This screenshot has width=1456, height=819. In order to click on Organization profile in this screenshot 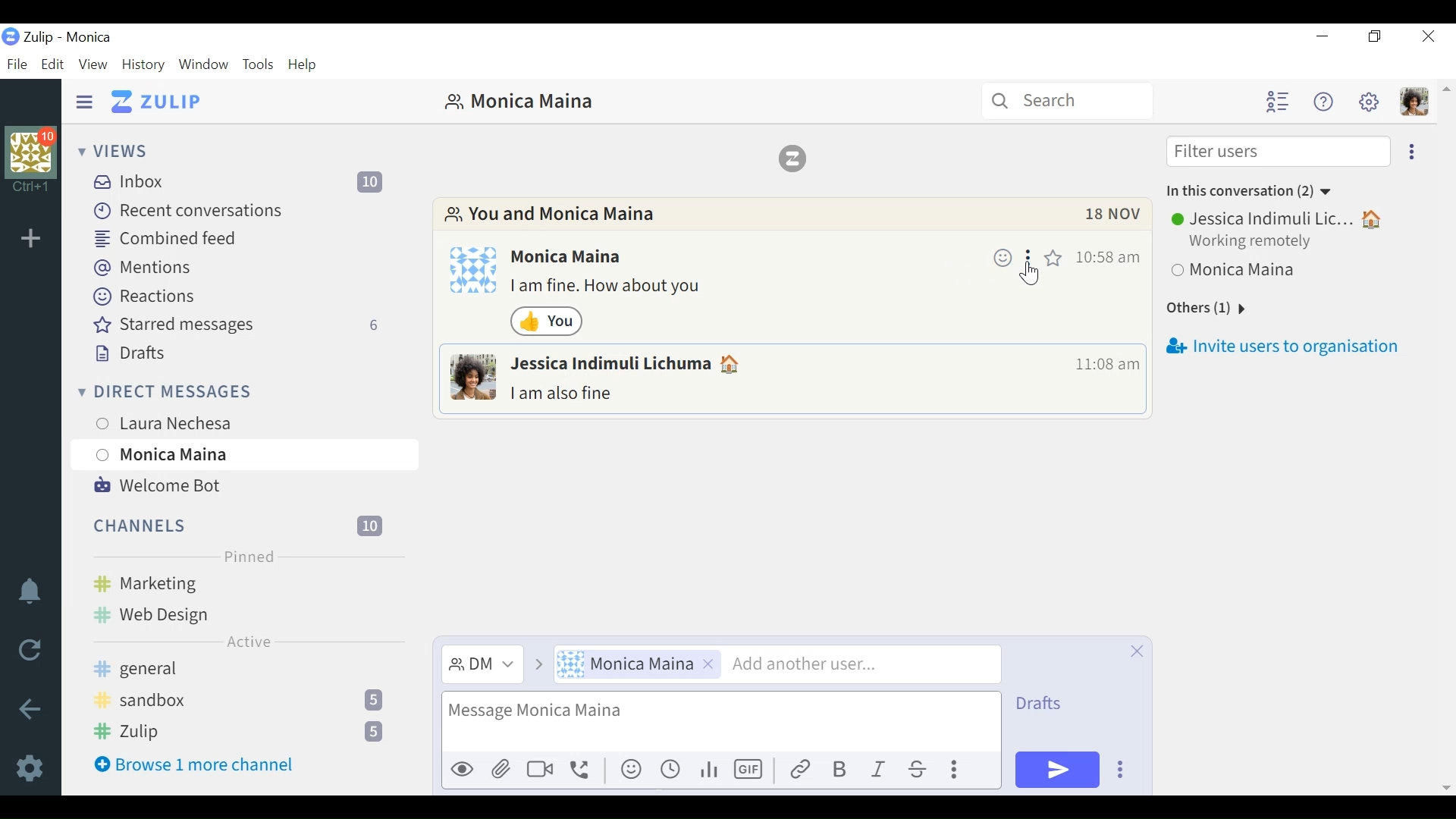, I will do `click(31, 149)`.